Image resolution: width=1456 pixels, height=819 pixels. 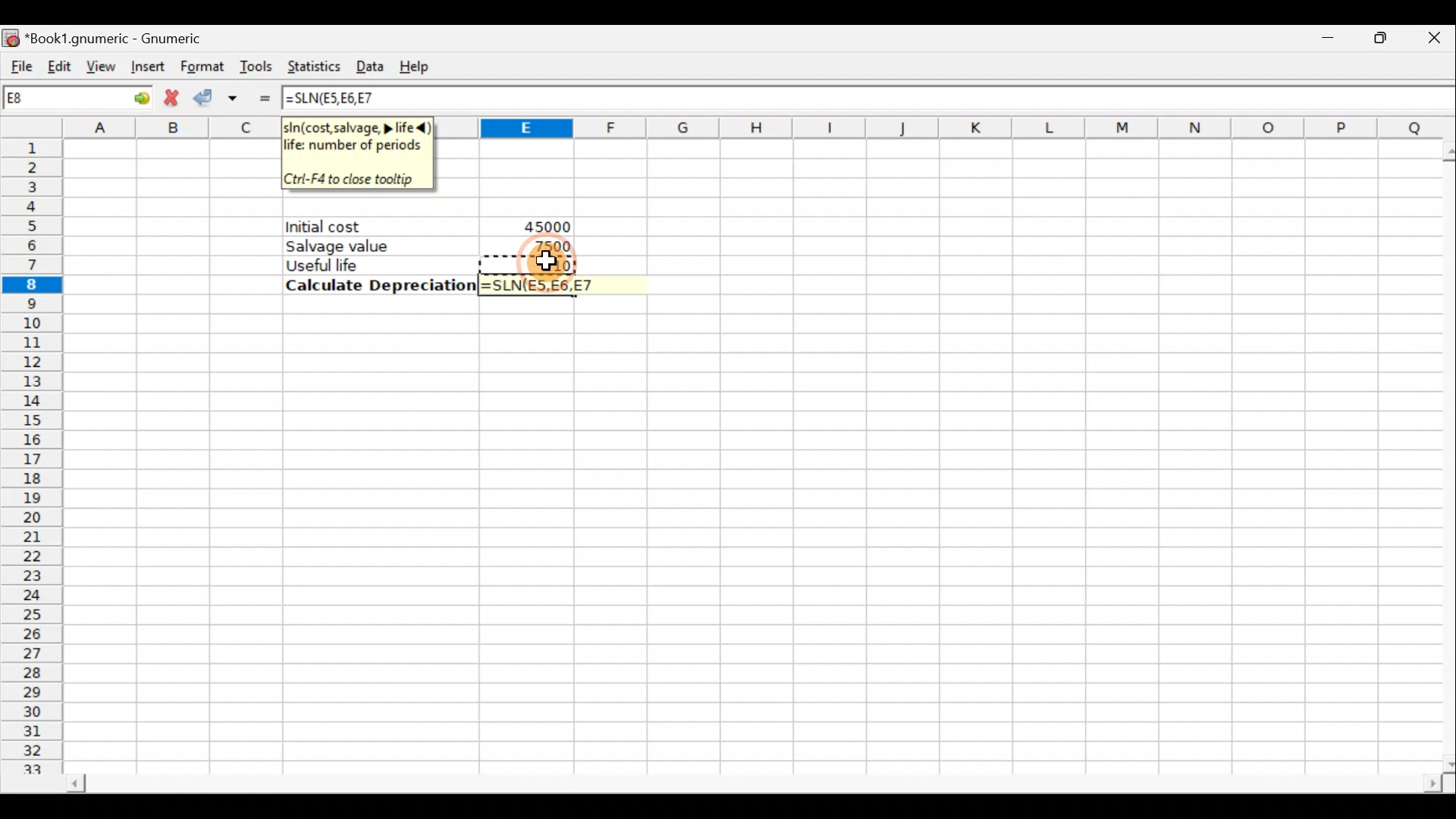 What do you see at coordinates (102, 63) in the screenshot?
I see `View` at bounding box center [102, 63].